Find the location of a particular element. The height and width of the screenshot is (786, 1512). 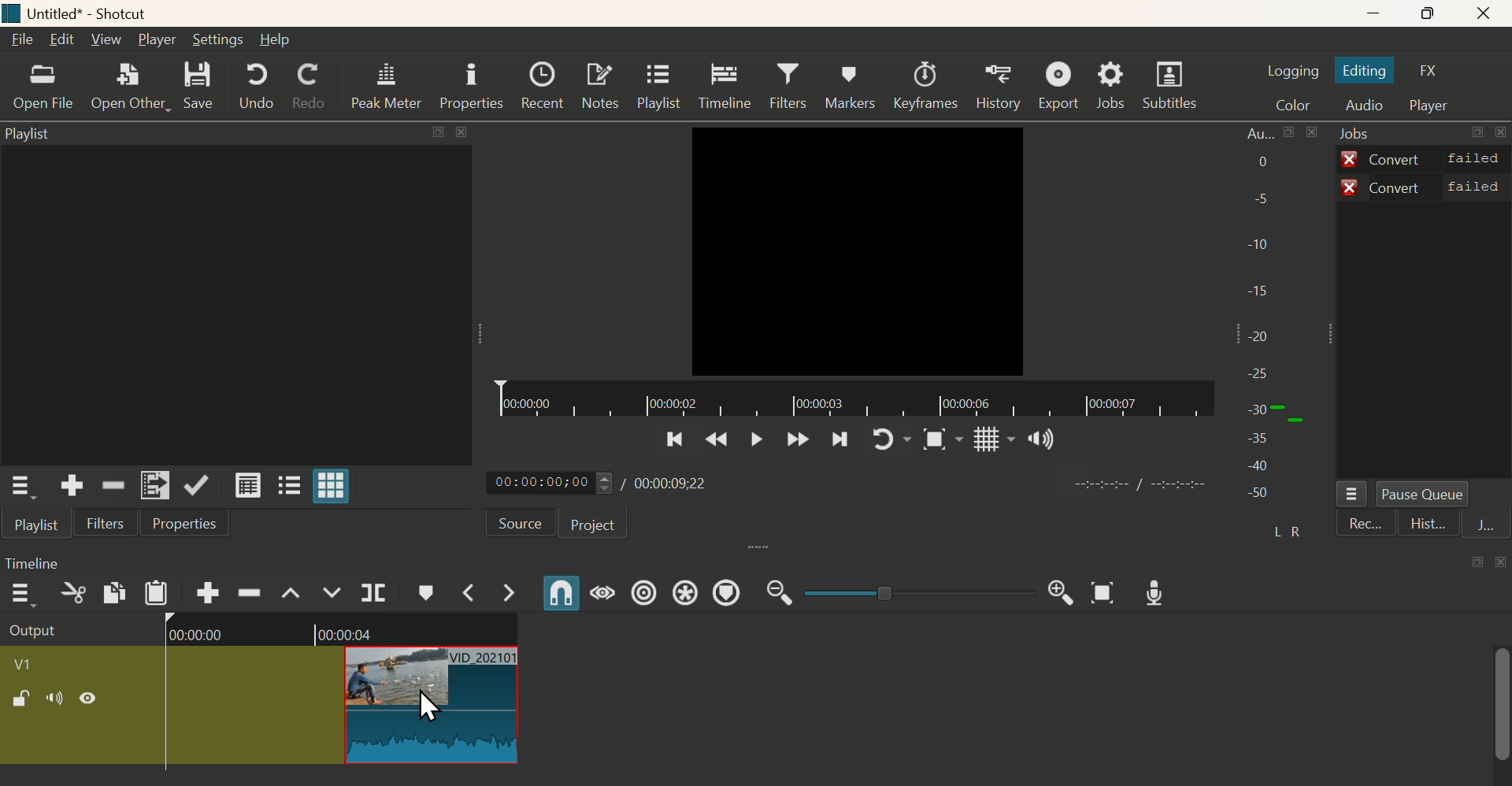

Update is located at coordinates (199, 486).